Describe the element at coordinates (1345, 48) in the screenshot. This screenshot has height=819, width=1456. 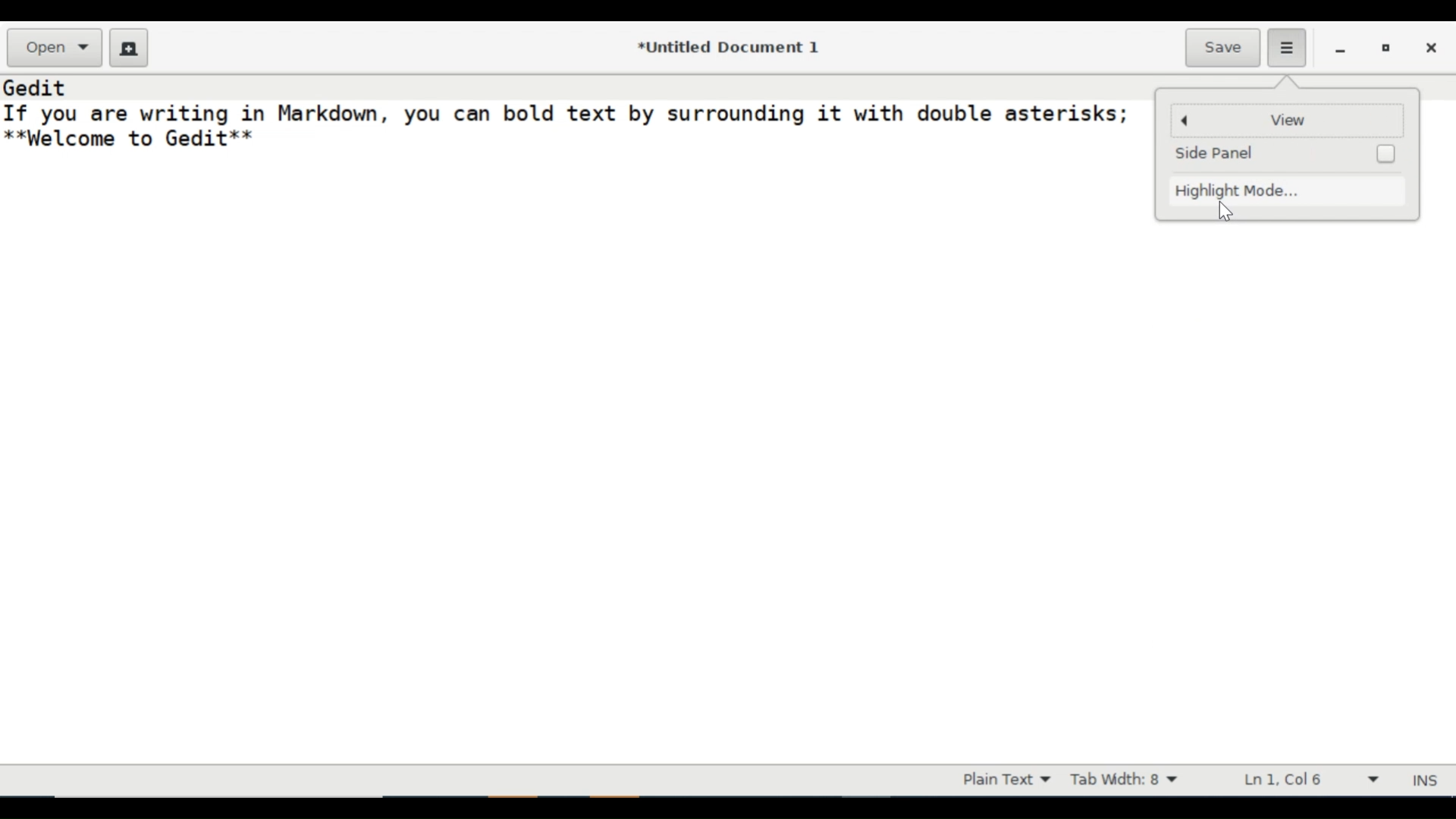
I see `minimize` at that location.